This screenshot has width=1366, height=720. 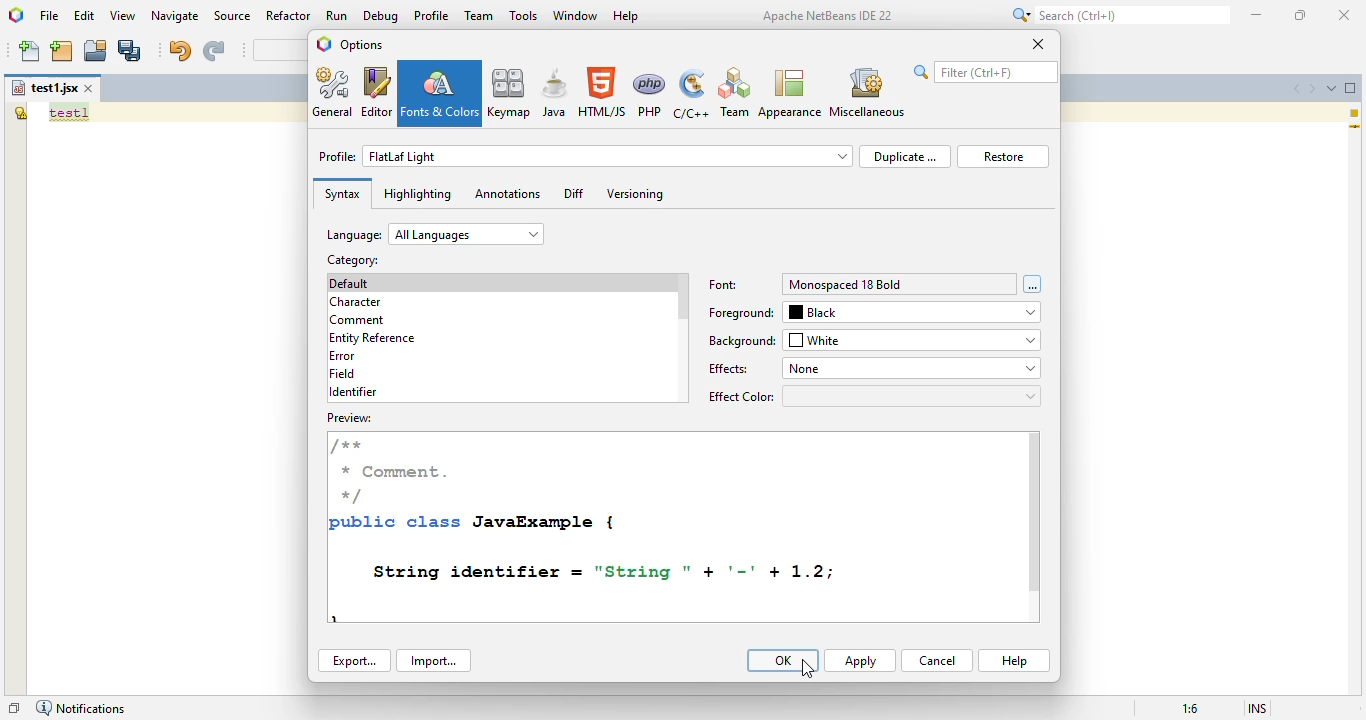 What do you see at coordinates (1003, 156) in the screenshot?
I see `restore` at bounding box center [1003, 156].